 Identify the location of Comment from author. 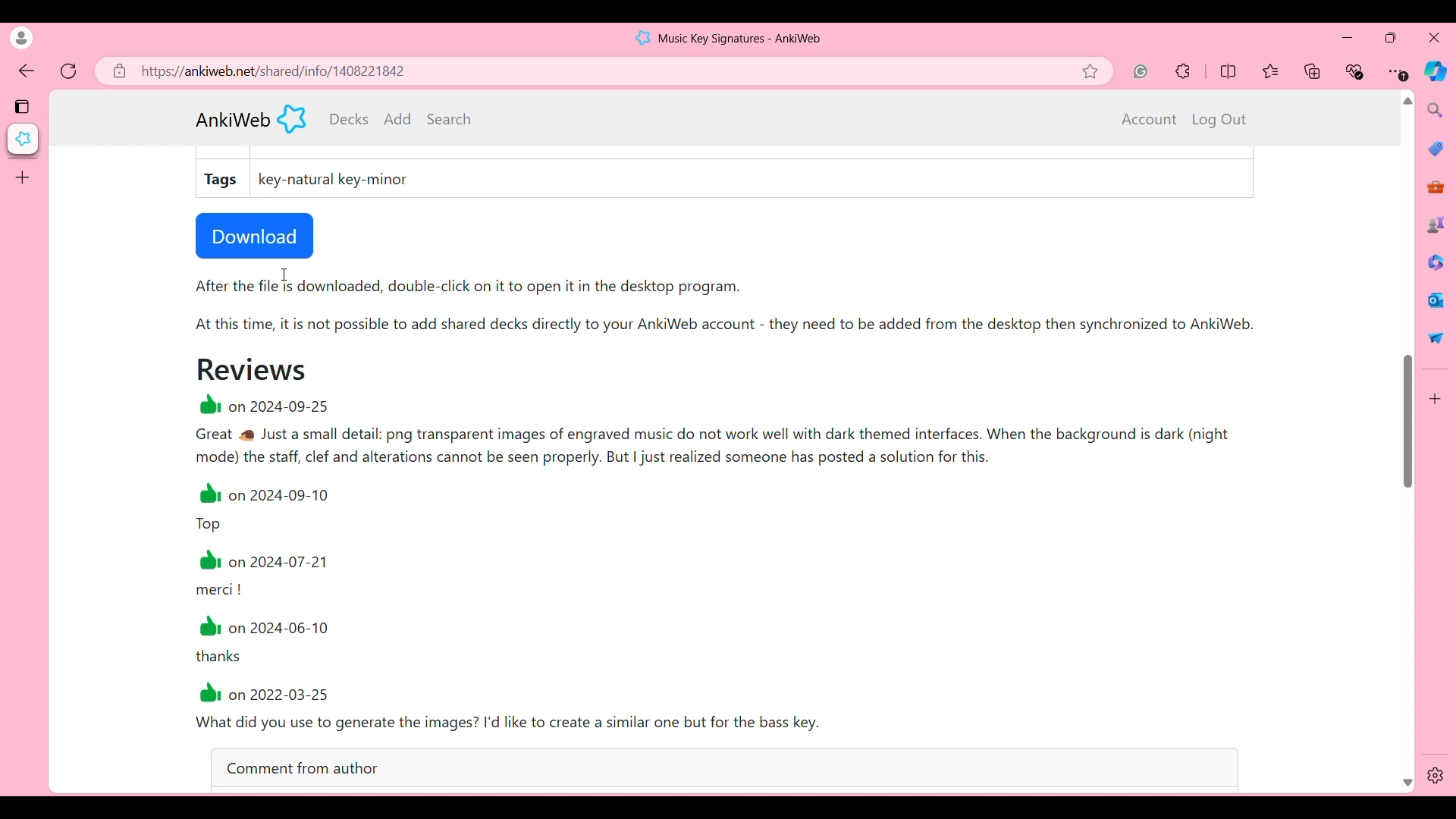
(724, 767).